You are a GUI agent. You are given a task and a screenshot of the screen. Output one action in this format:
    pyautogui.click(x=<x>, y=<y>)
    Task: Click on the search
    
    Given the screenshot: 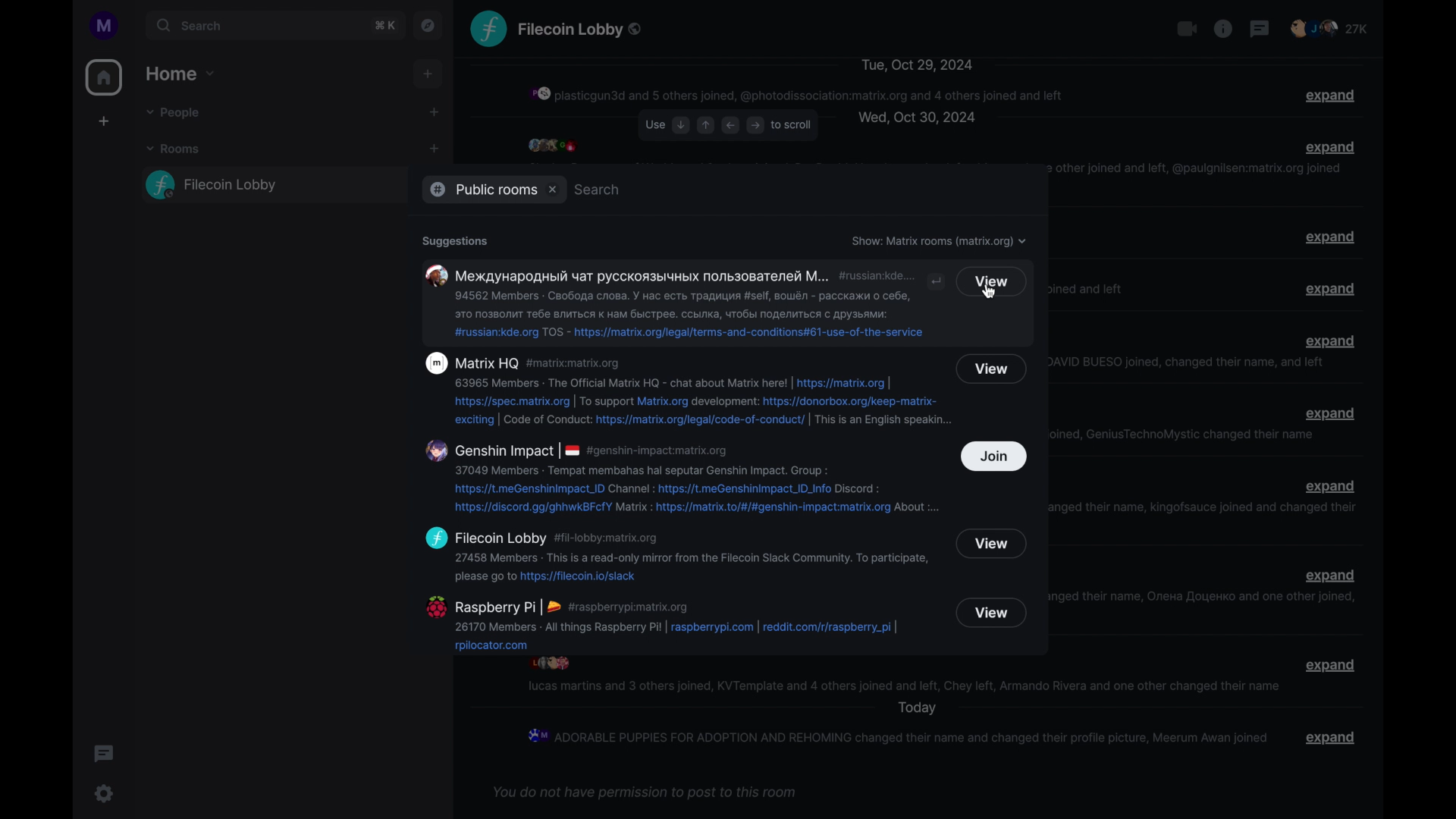 What is the action you would take?
    pyautogui.click(x=254, y=27)
    